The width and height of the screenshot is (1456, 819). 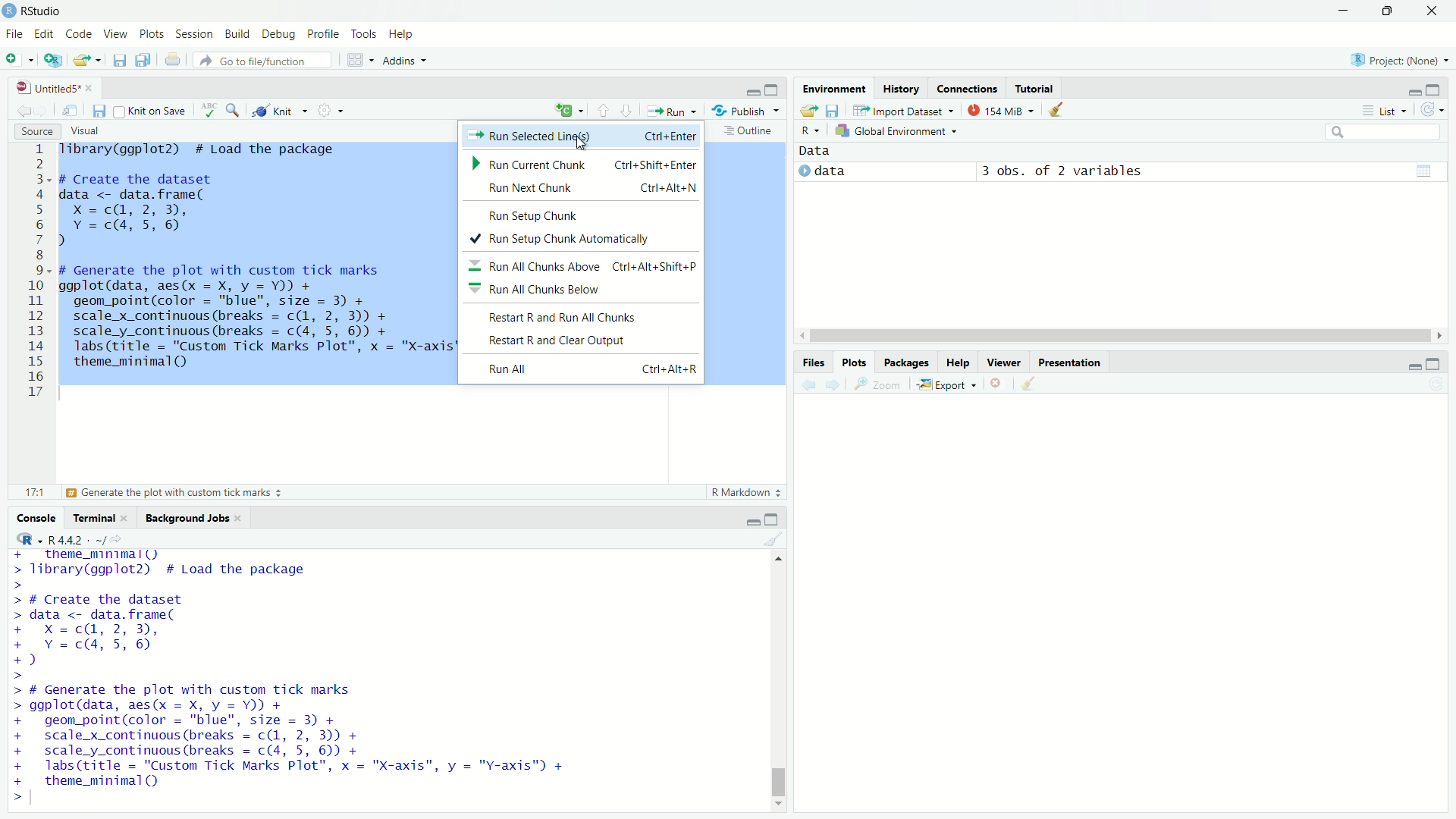 What do you see at coordinates (27, 492) in the screenshot?
I see `17:1` at bounding box center [27, 492].